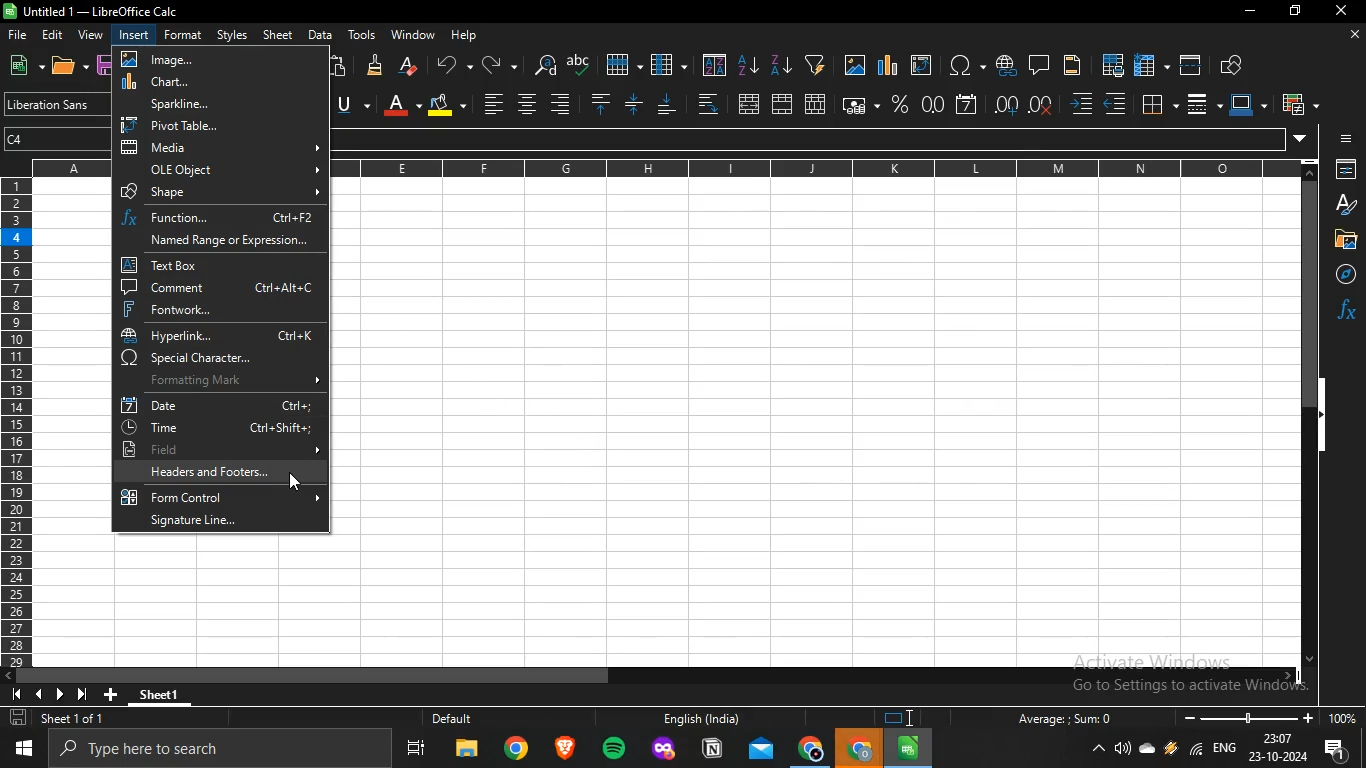 This screenshot has height=768, width=1366. I want to click on align top, so click(600, 104).